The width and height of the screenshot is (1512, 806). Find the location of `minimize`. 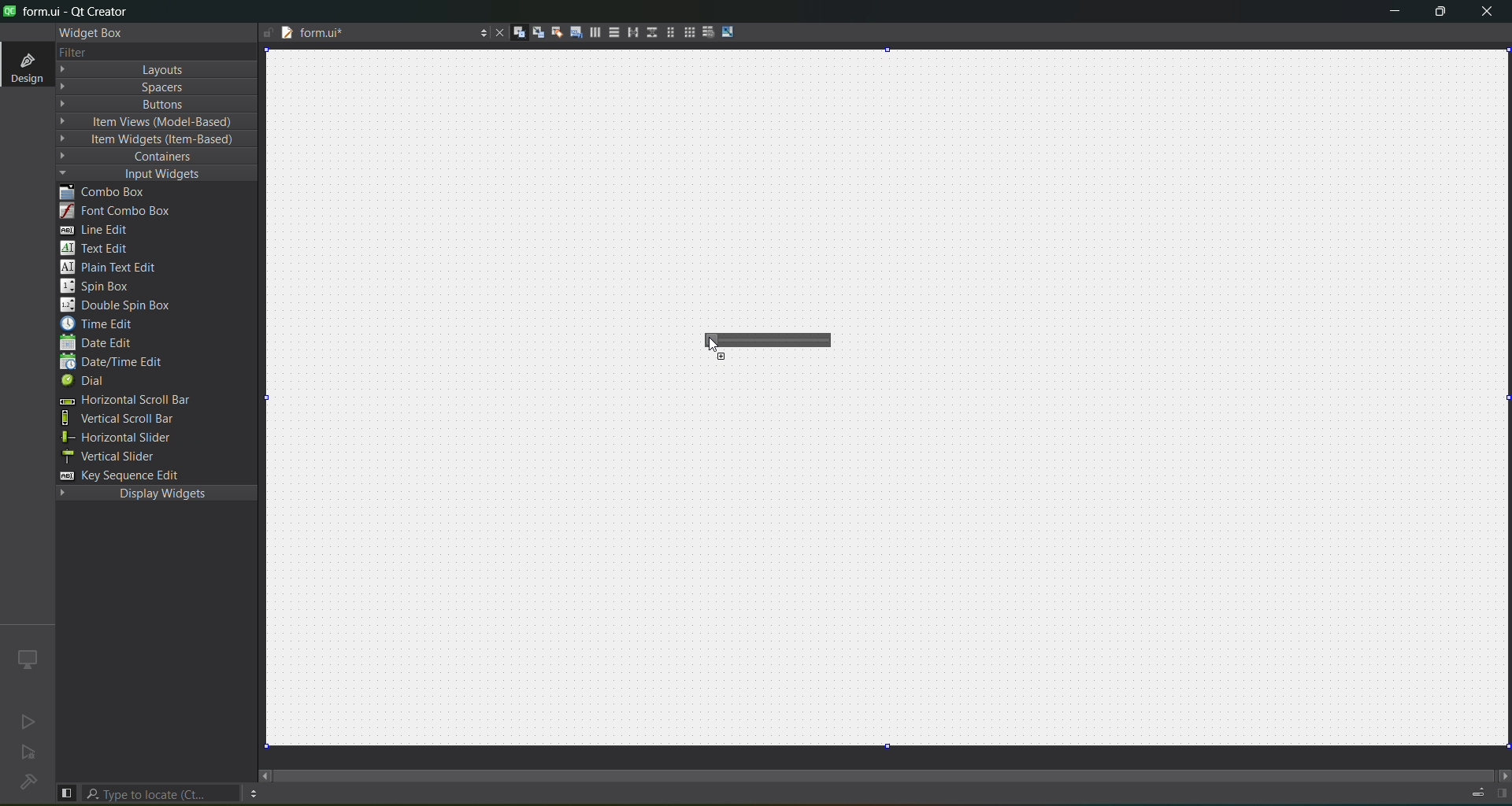

minimize is located at coordinates (1388, 14).